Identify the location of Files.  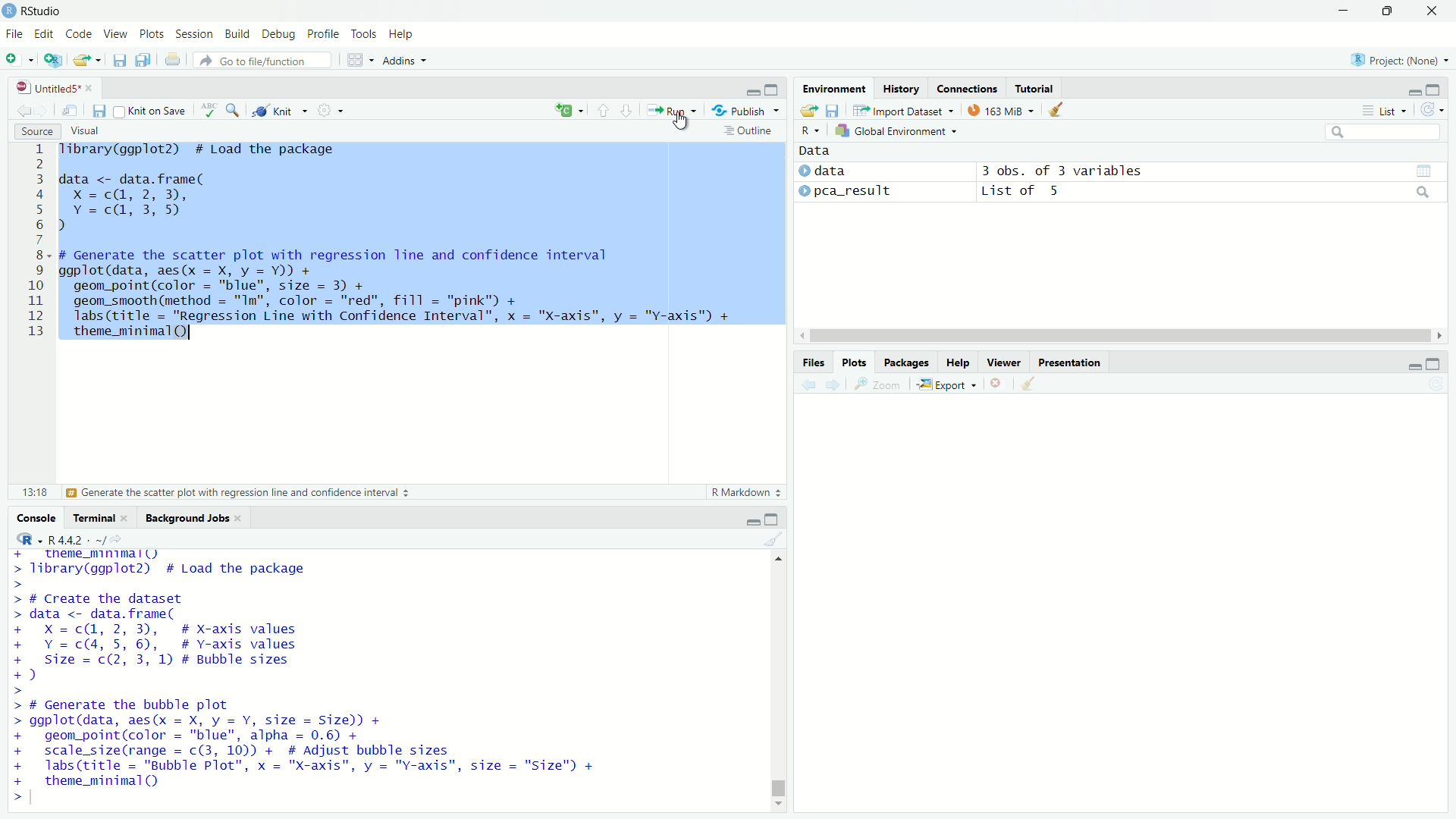
(814, 362).